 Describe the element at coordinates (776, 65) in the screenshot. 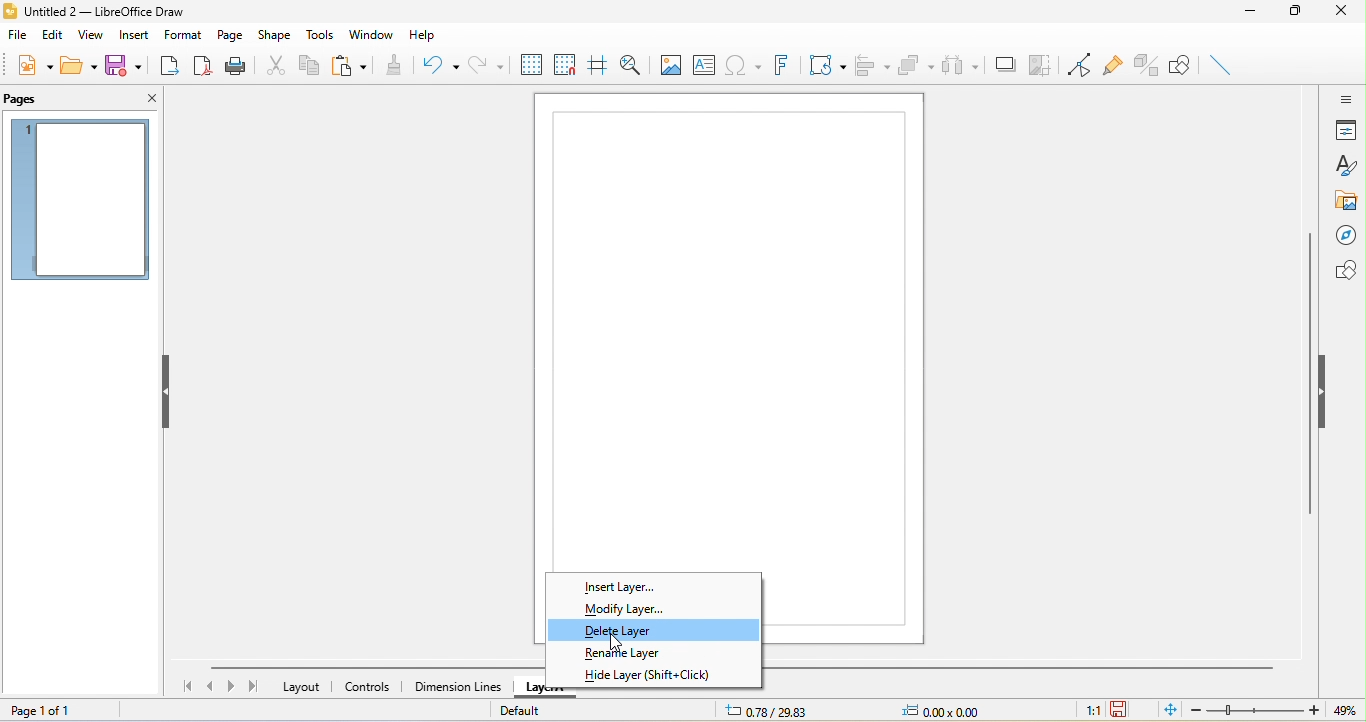

I see `fontwork text` at that location.